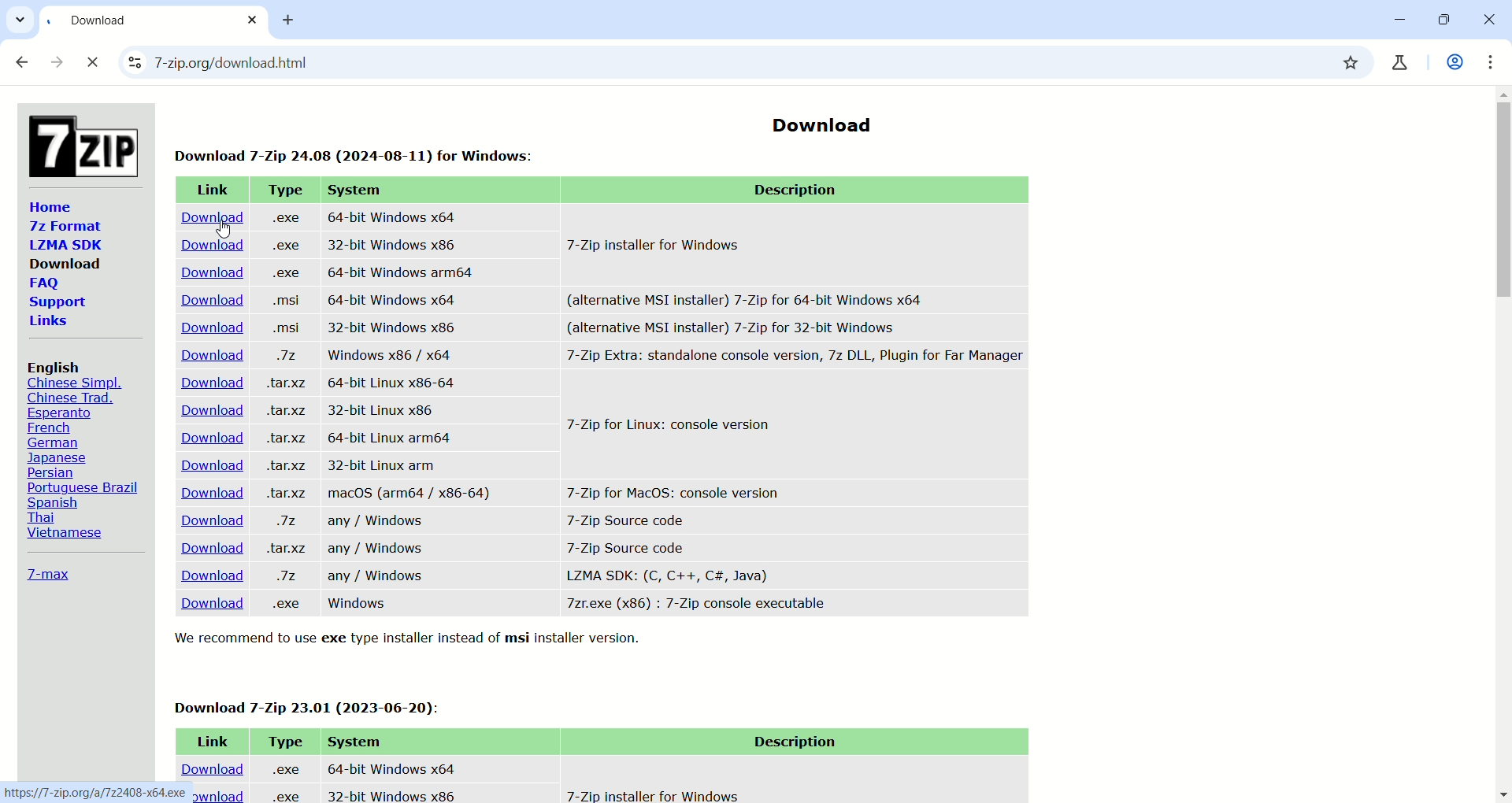 This screenshot has height=803, width=1512. I want to click on Download, so click(819, 120).